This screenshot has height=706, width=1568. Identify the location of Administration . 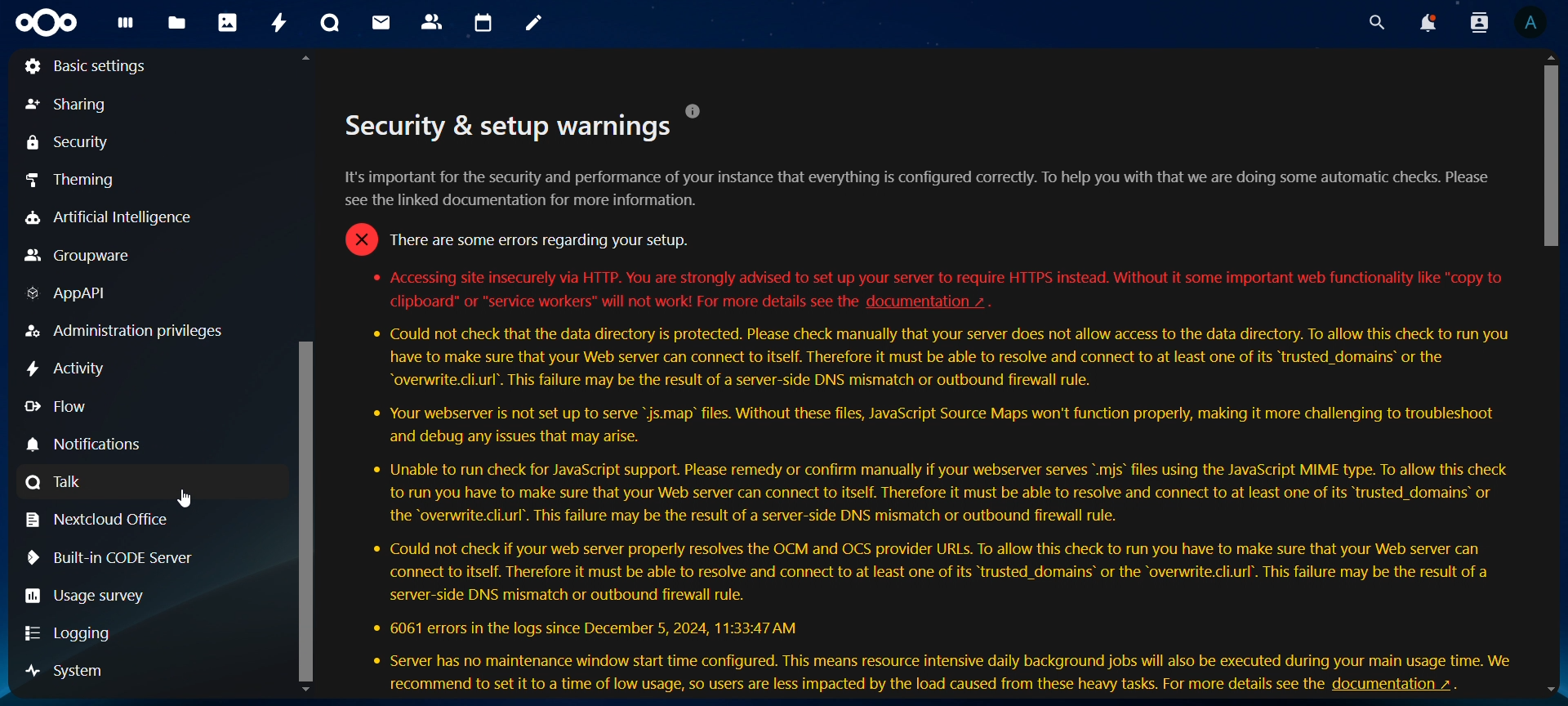
(124, 331).